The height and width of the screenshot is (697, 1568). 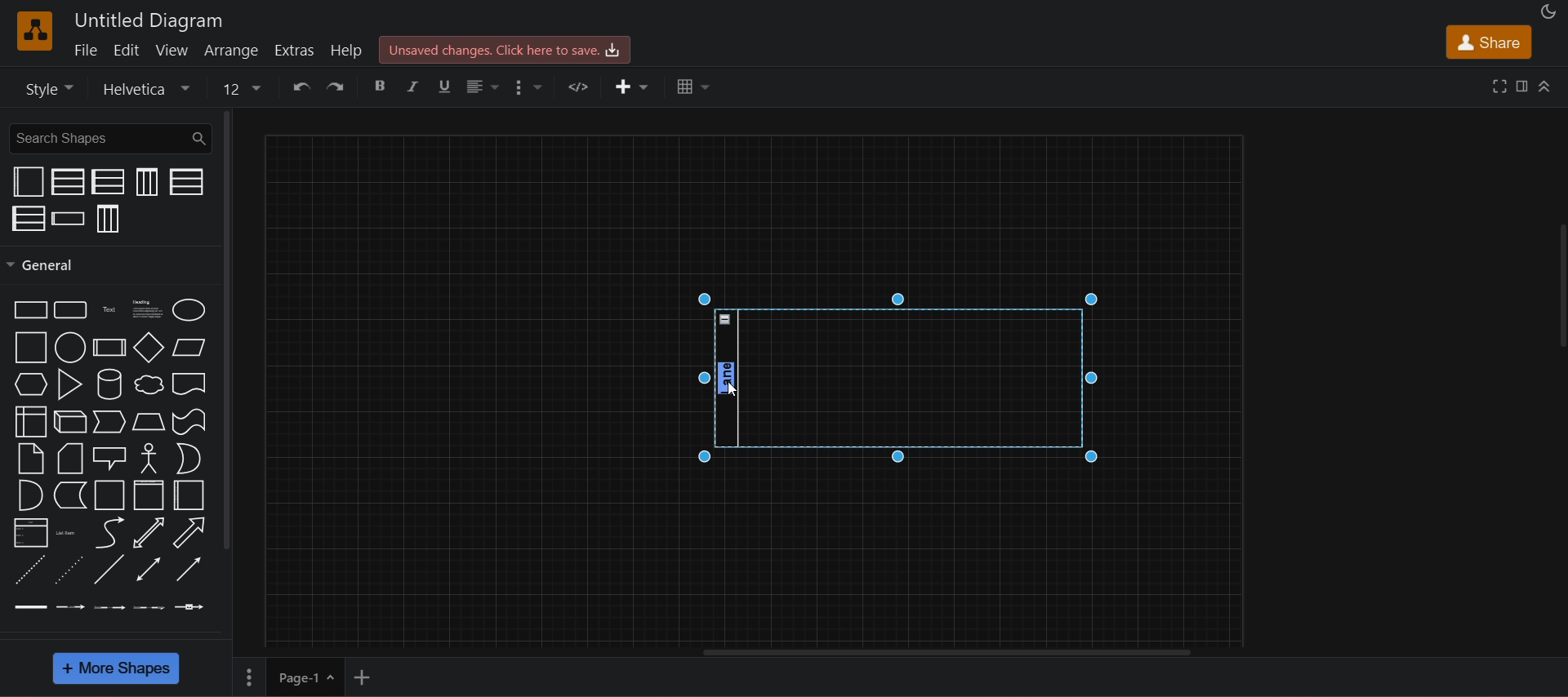 I want to click on page 1, so click(x=305, y=677).